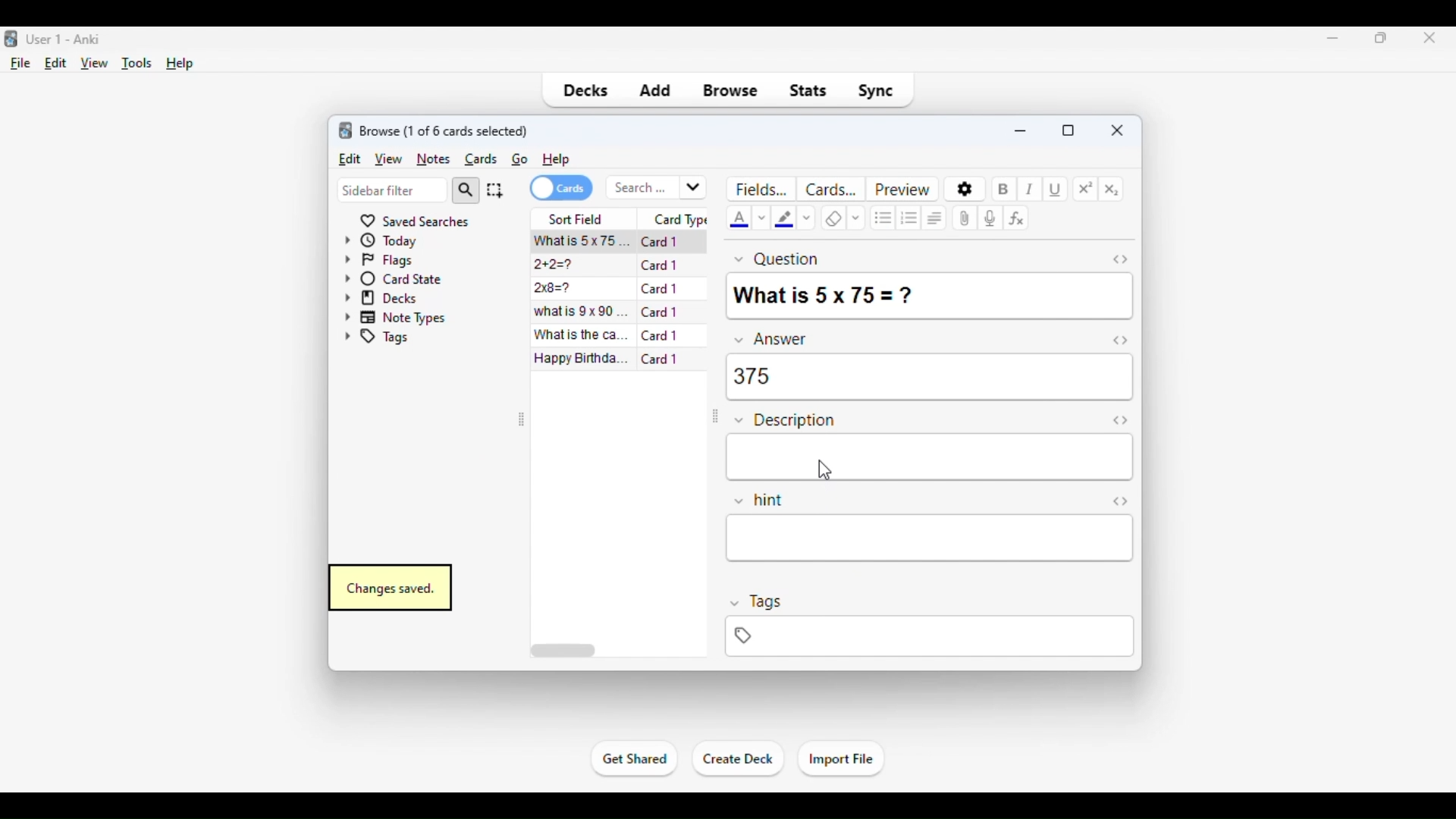  Describe the element at coordinates (582, 359) in the screenshot. I see `happy birthday song!!!.mp3` at that location.